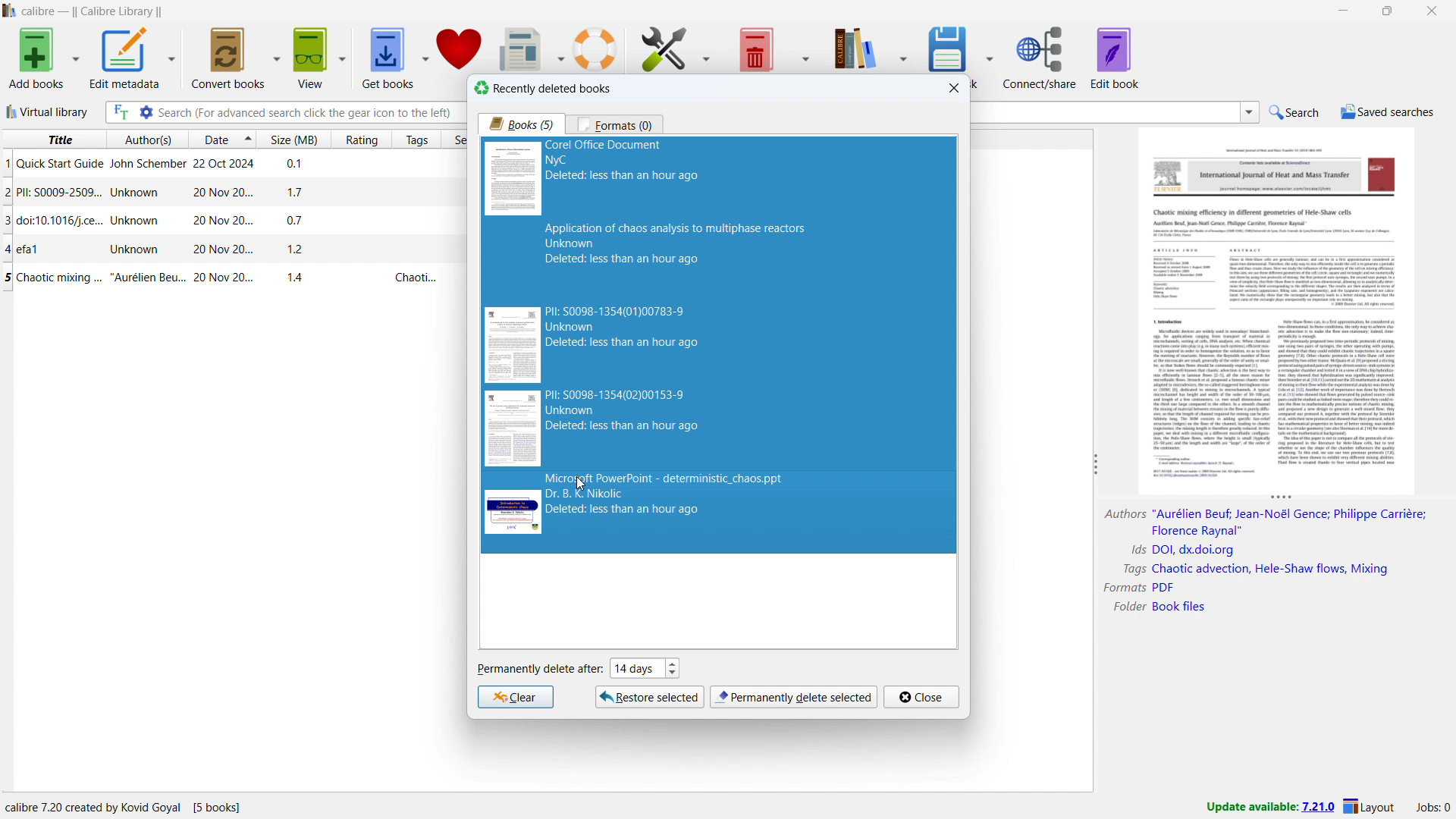 The height and width of the screenshot is (819, 1456). I want to click on resize, so click(1094, 465).